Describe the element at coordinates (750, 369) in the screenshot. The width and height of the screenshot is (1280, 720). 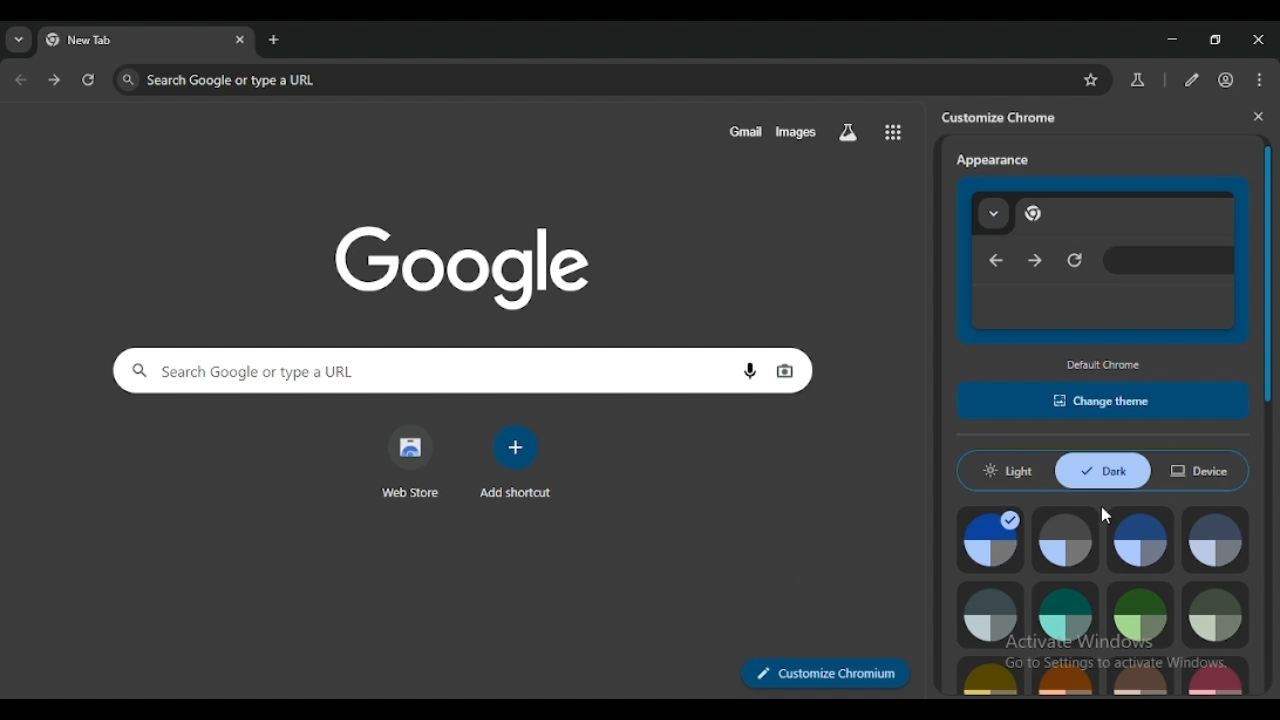
I see `search by voice` at that location.